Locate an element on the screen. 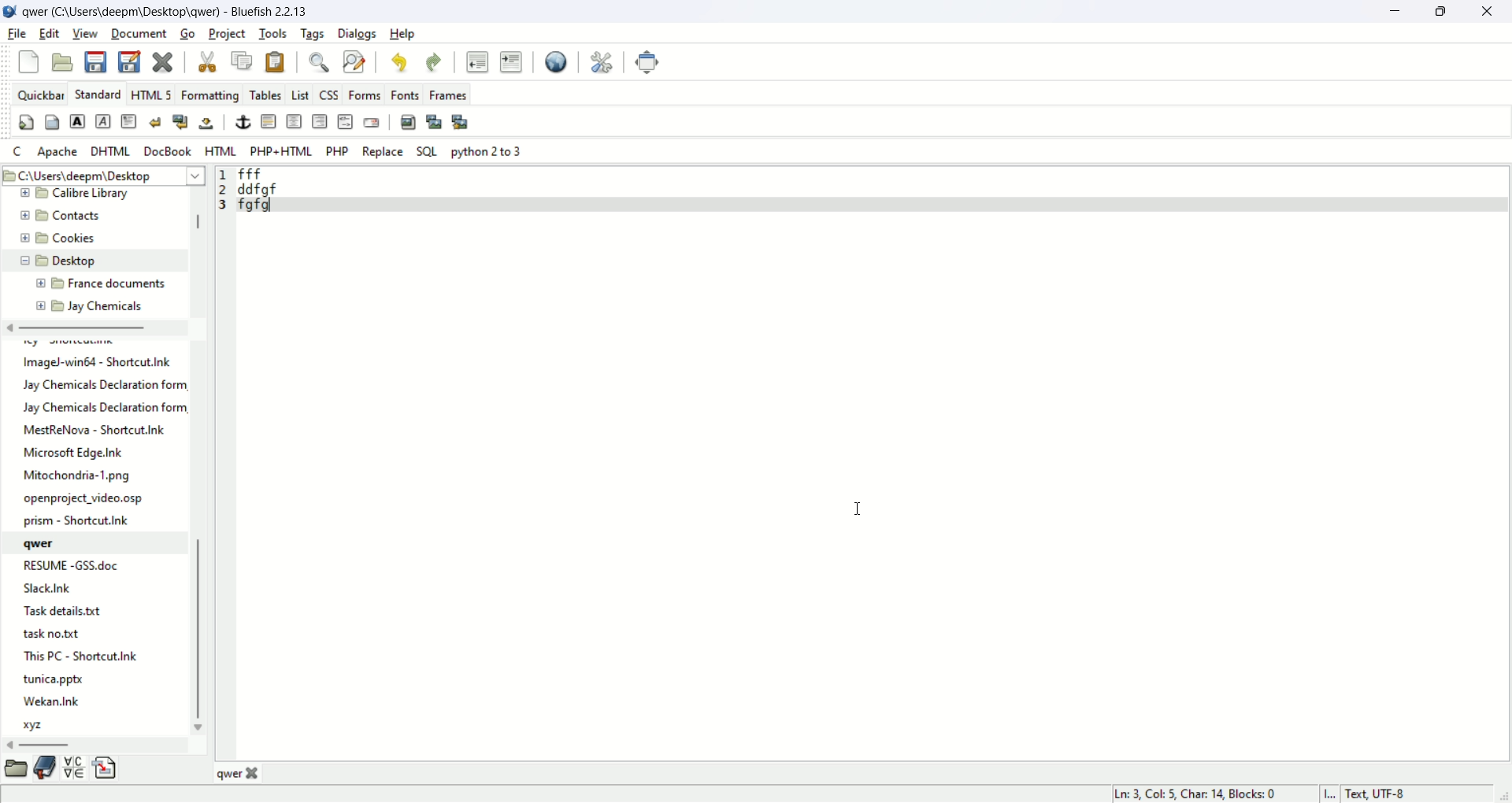 Image resolution: width=1512 pixels, height=803 pixels. task details.txt is located at coordinates (69, 612).